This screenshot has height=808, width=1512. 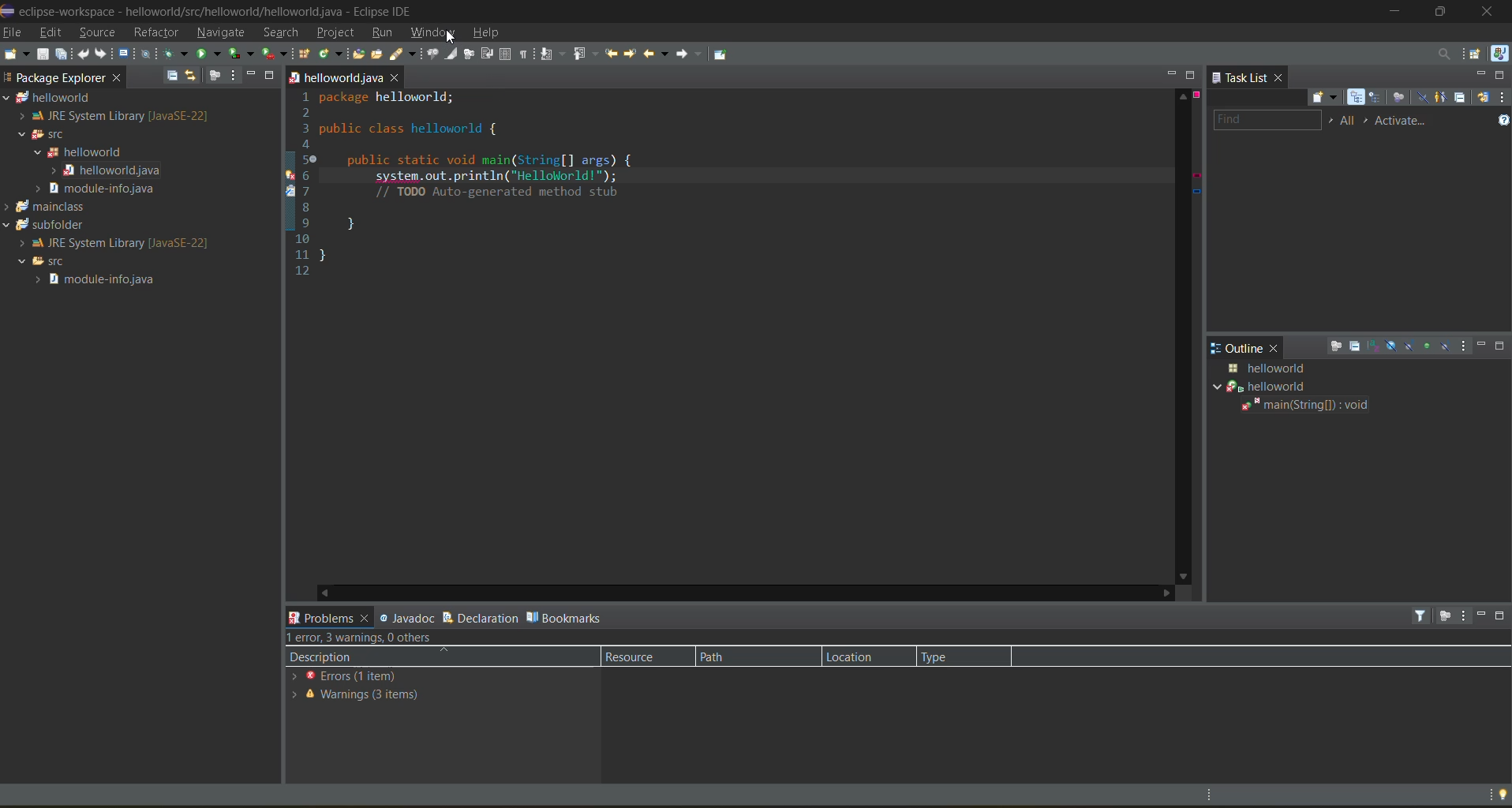 I want to click on minimize, so click(x=1482, y=620).